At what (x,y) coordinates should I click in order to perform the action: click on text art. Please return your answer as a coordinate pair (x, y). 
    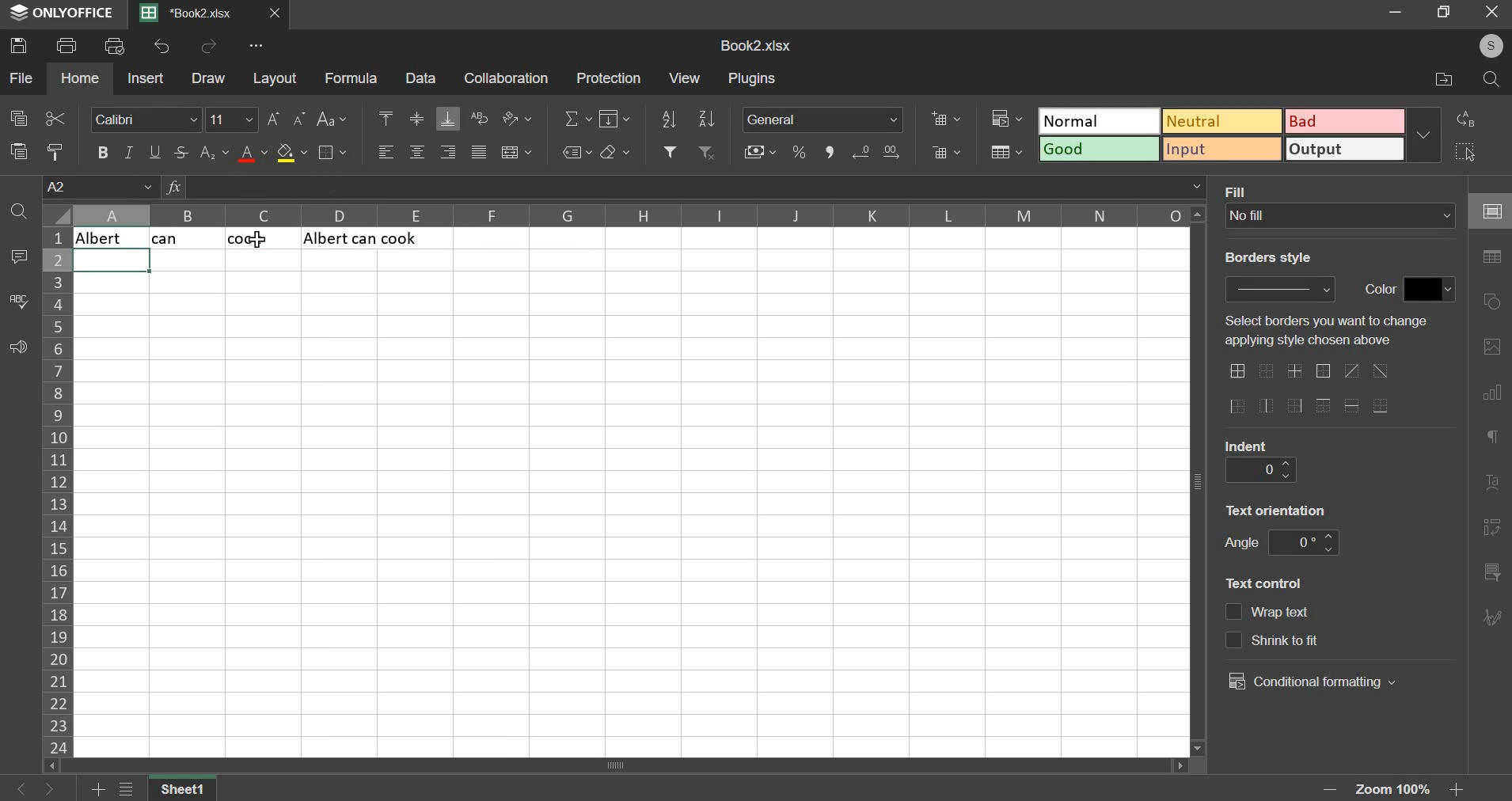
    Looking at the image, I should click on (1492, 487).